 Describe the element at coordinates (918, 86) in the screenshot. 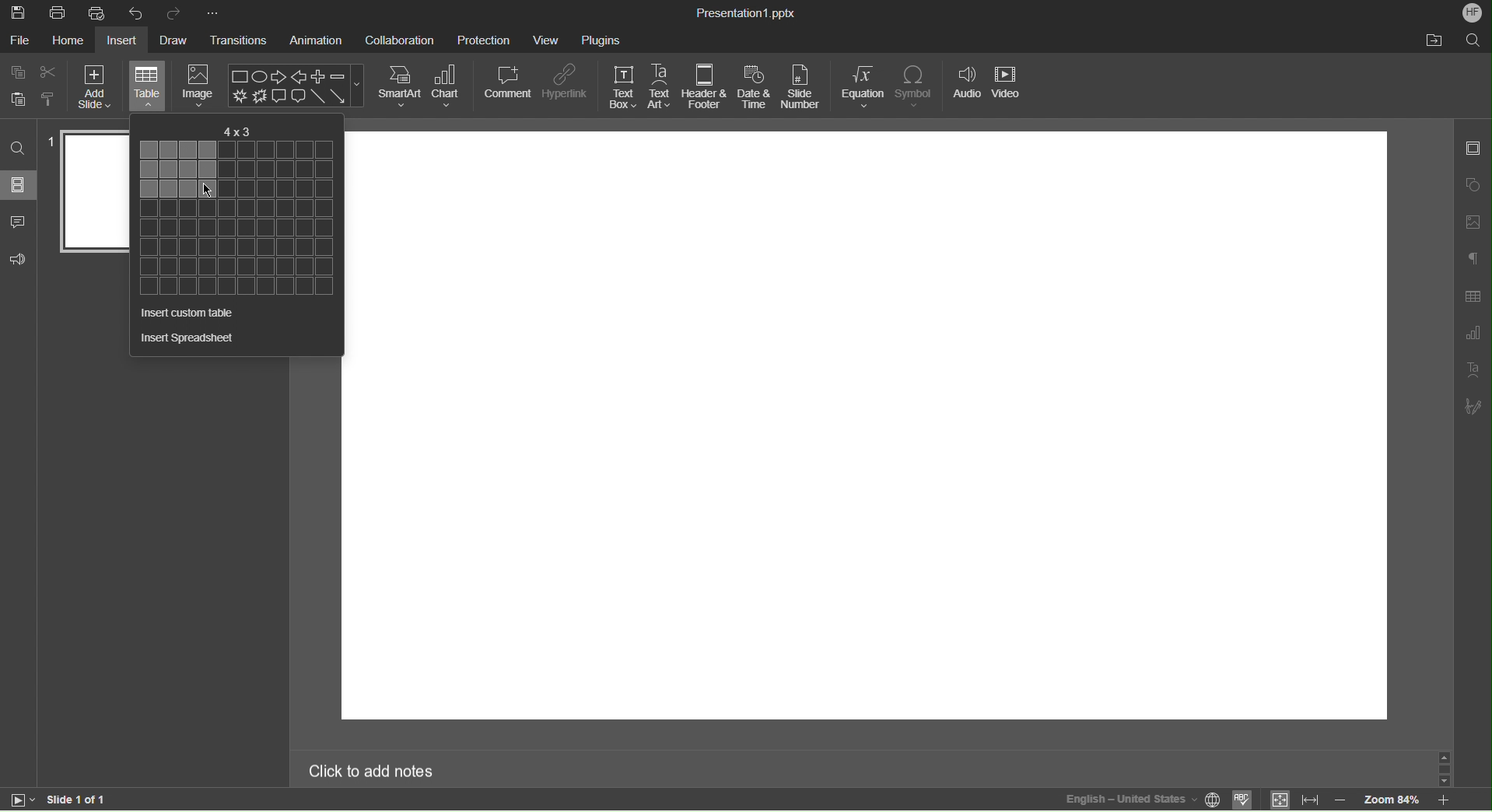

I see `Symbol` at that location.